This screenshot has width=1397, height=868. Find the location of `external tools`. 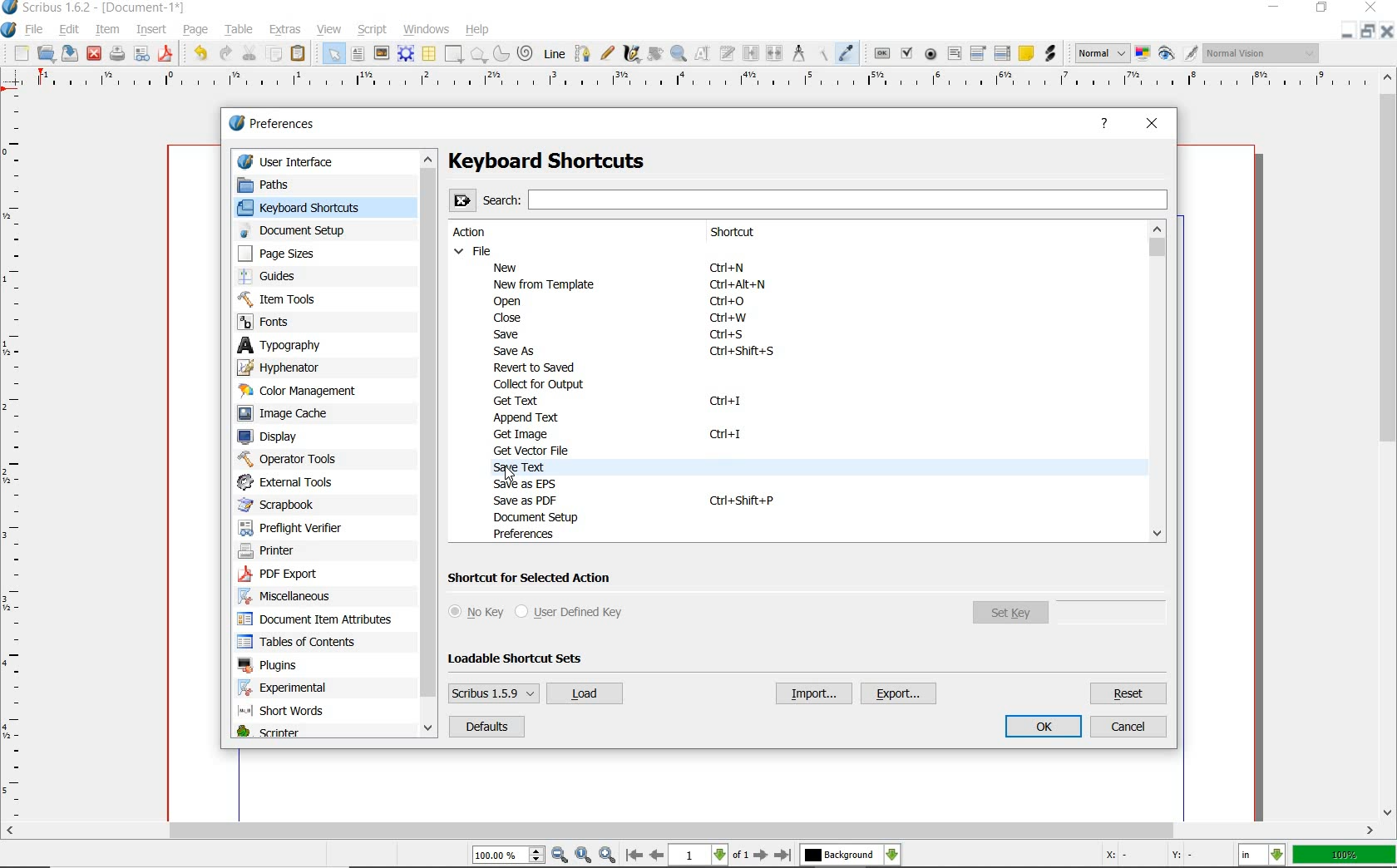

external tools is located at coordinates (293, 481).